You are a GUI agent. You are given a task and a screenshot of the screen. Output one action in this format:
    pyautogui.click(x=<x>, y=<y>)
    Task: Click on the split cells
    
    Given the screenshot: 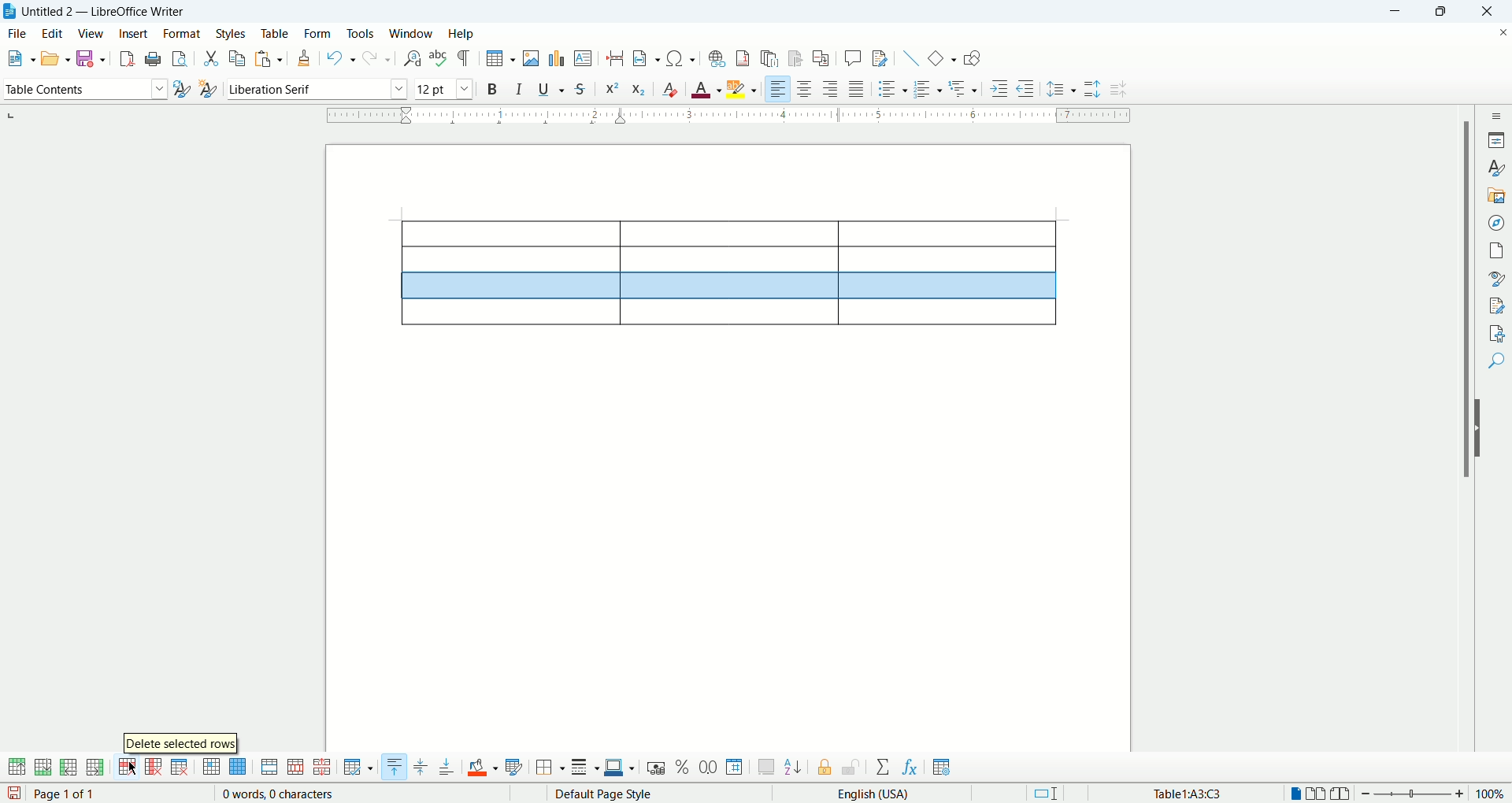 What is the action you would take?
    pyautogui.click(x=296, y=768)
    